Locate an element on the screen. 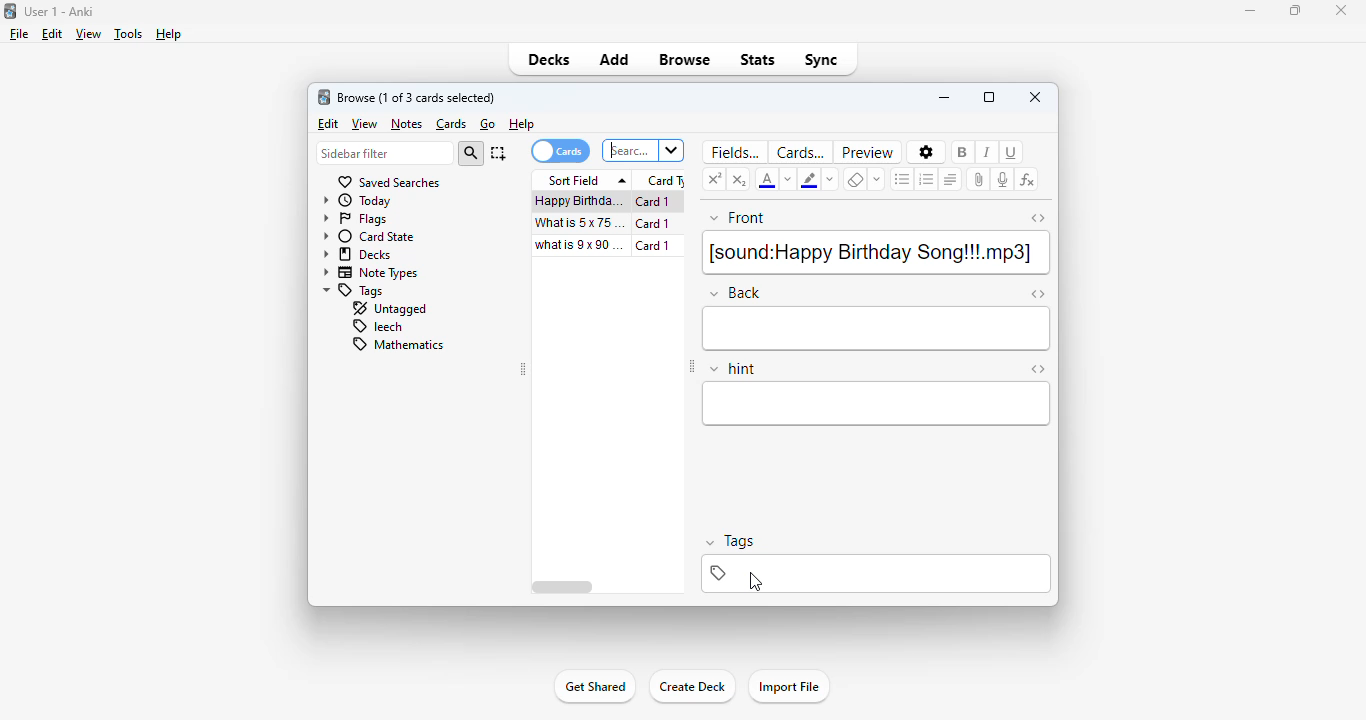 Image resolution: width=1366 pixels, height=720 pixels. go is located at coordinates (488, 124).